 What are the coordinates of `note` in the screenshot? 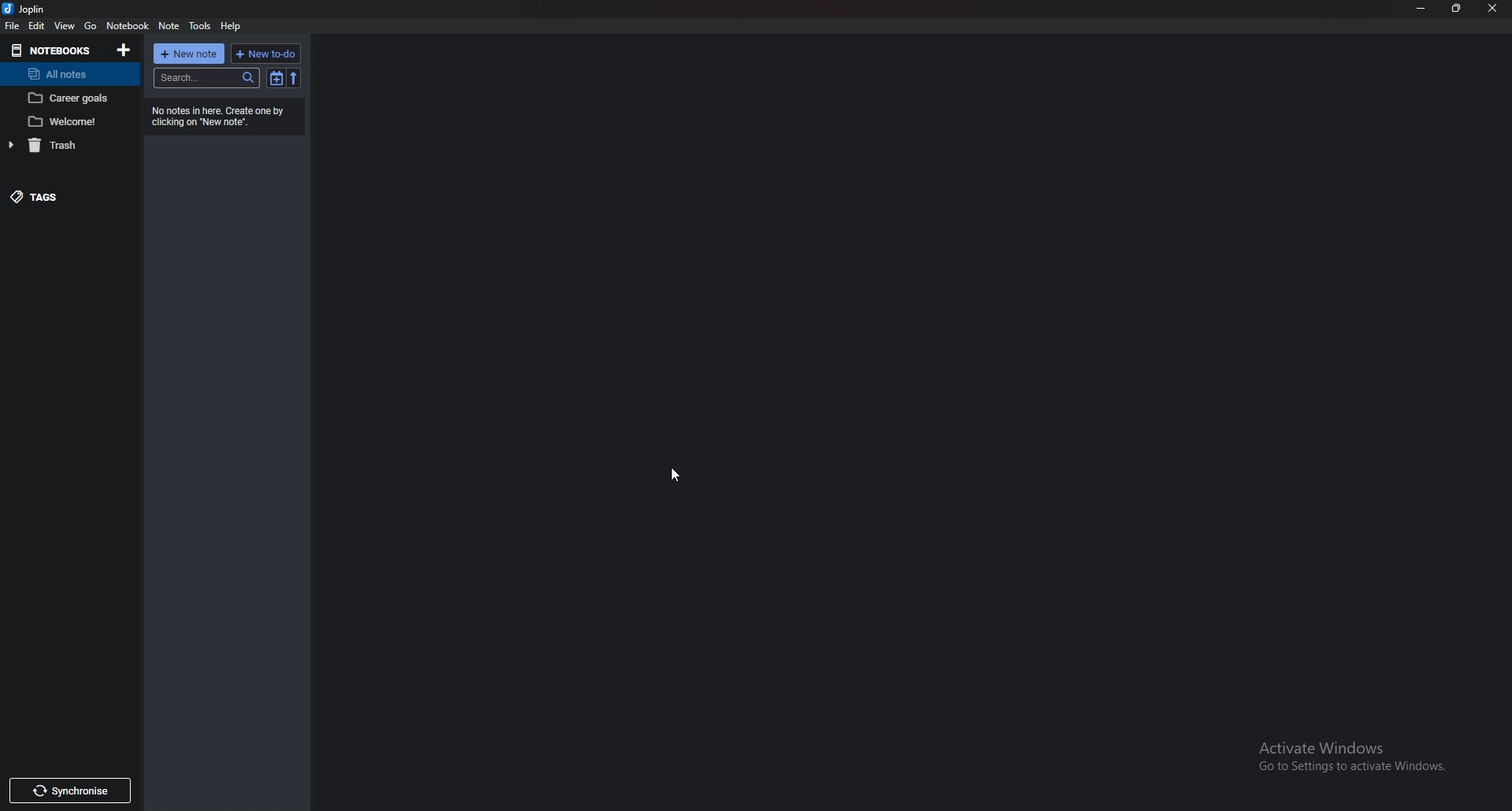 It's located at (169, 26).